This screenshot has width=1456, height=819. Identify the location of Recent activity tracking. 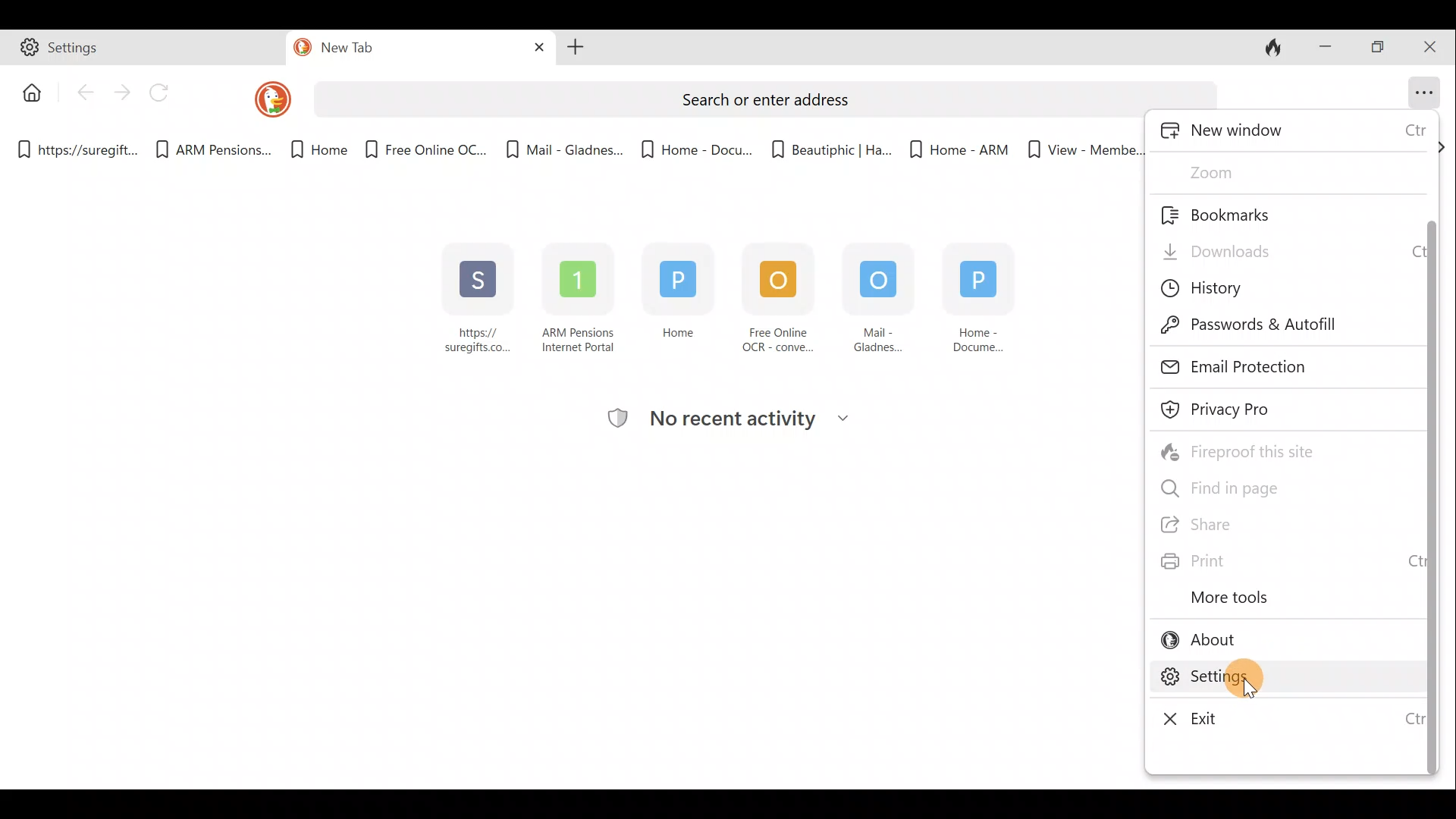
(767, 421).